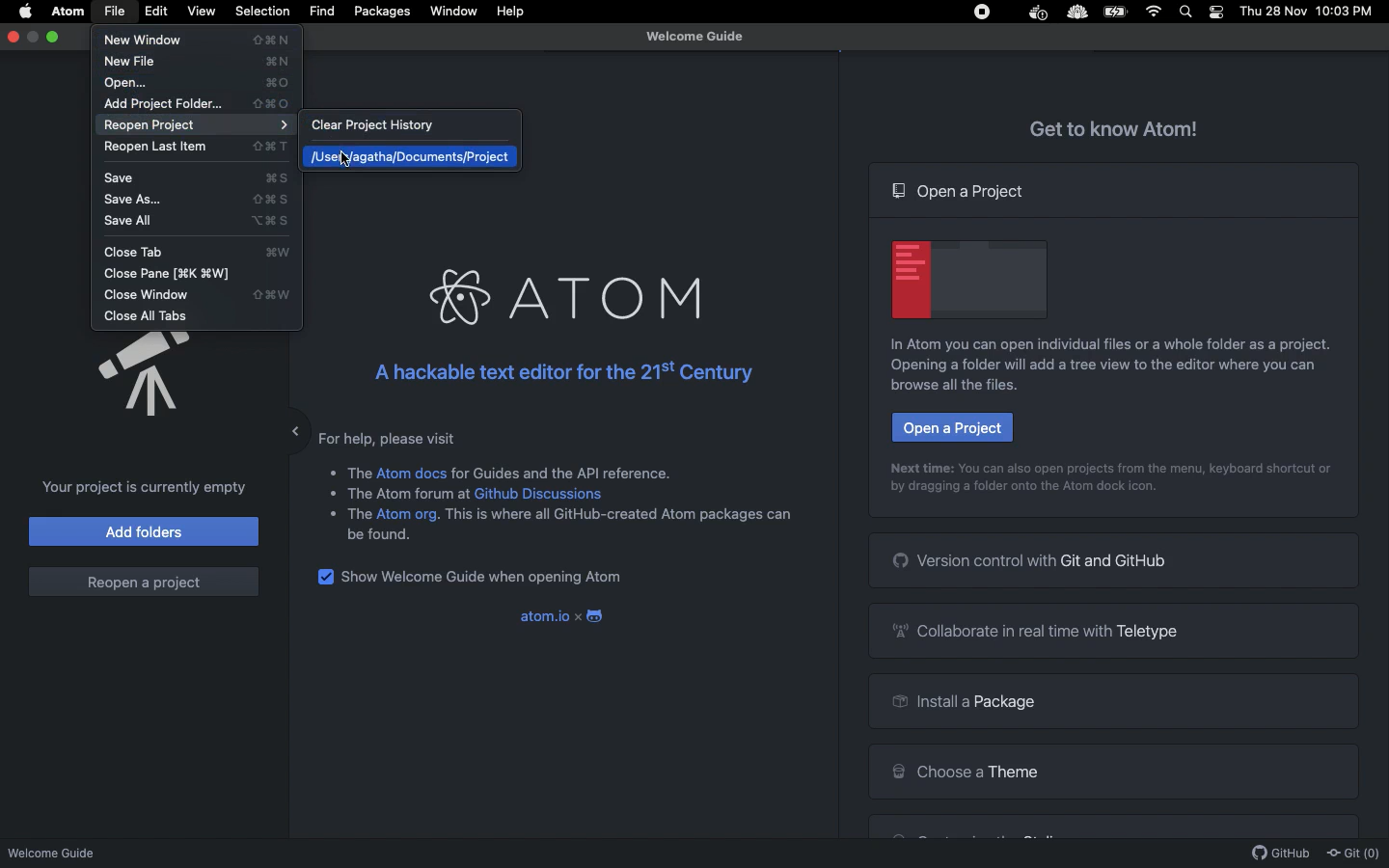  What do you see at coordinates (558, 372) in the screenshot?
I see `A hackable history` at bounding box center [558, 372].